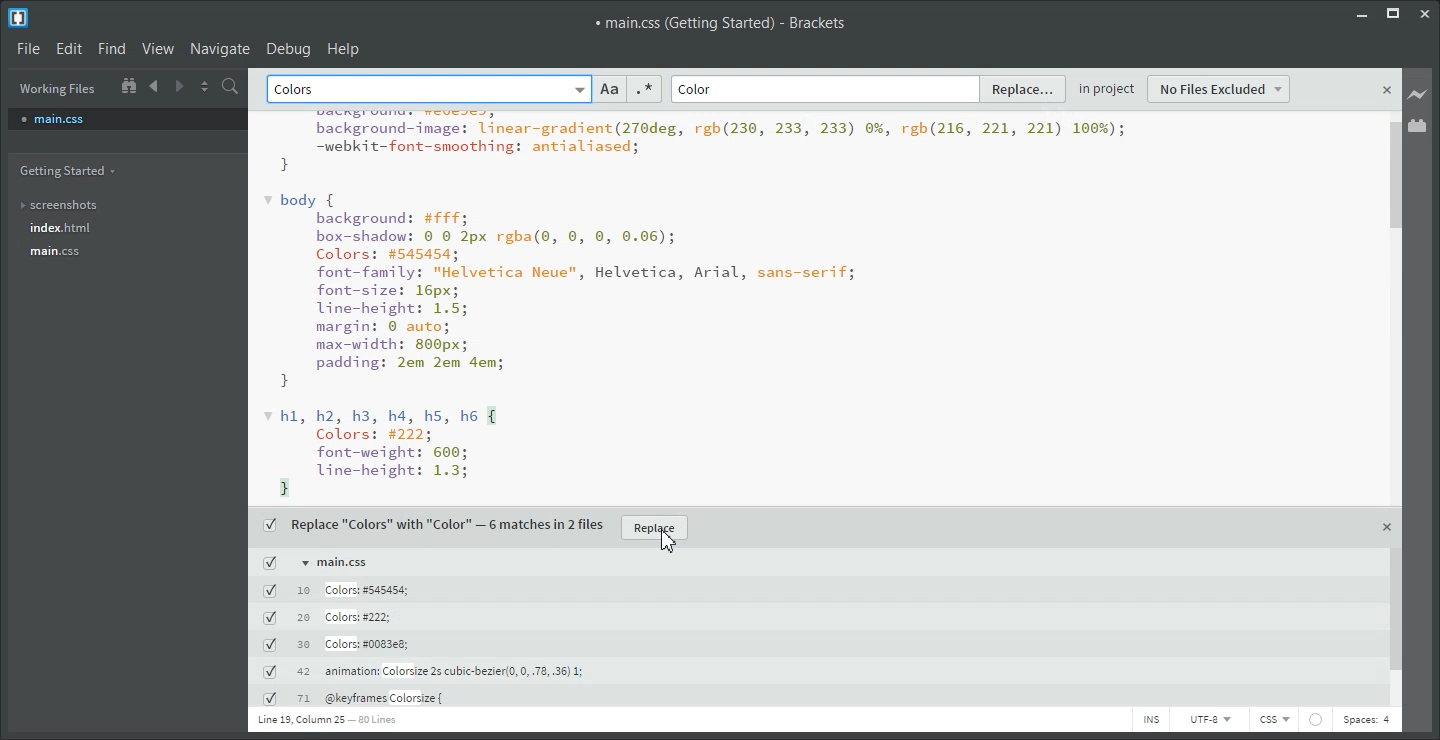 The height and width of the screenshot is (740, 1440). Describe the element at coordinates (344, 48) in the screenshot. I see `Help` at that location.